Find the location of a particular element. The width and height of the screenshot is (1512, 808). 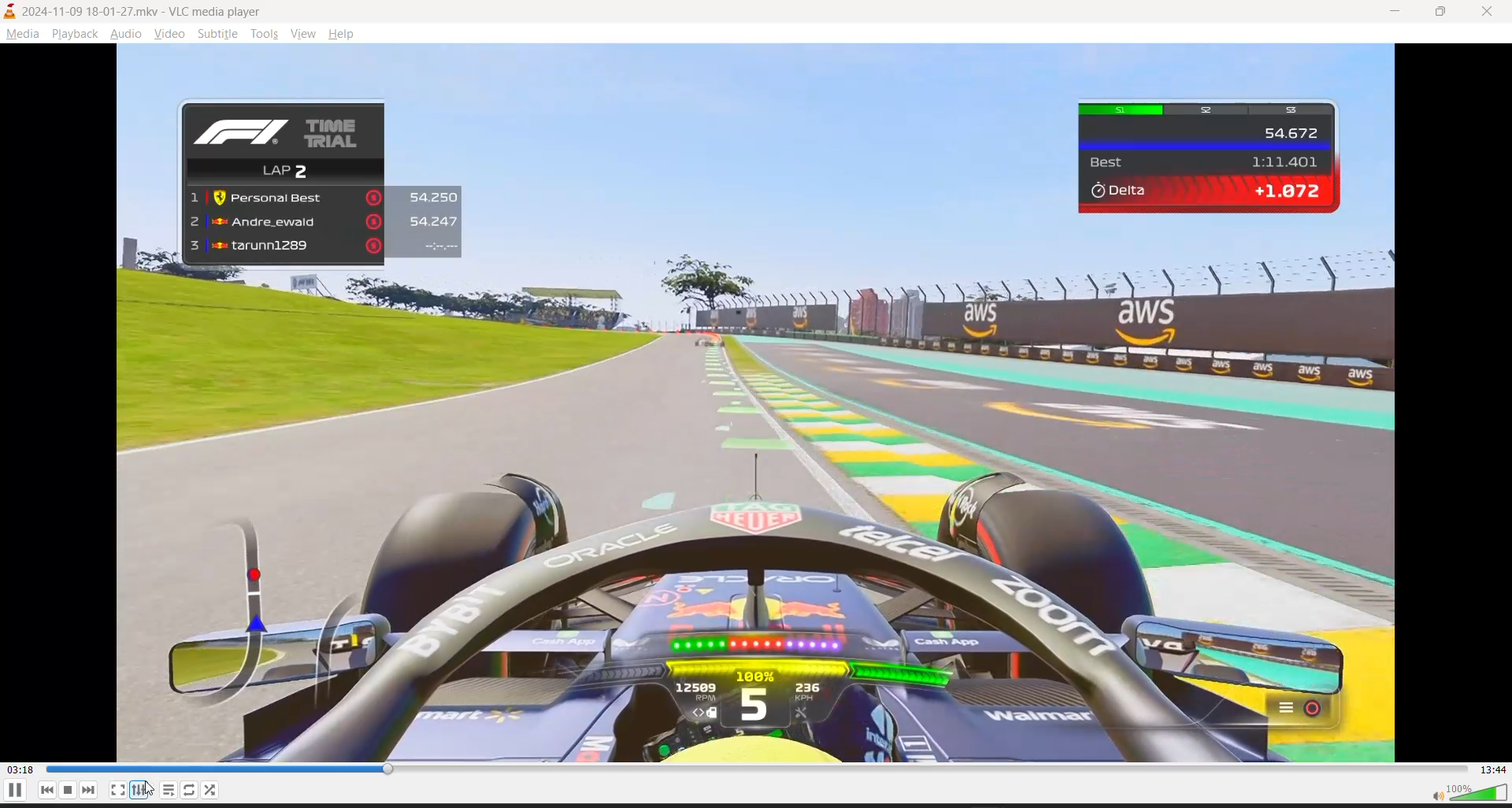

view is located at coordinates (303, 32).